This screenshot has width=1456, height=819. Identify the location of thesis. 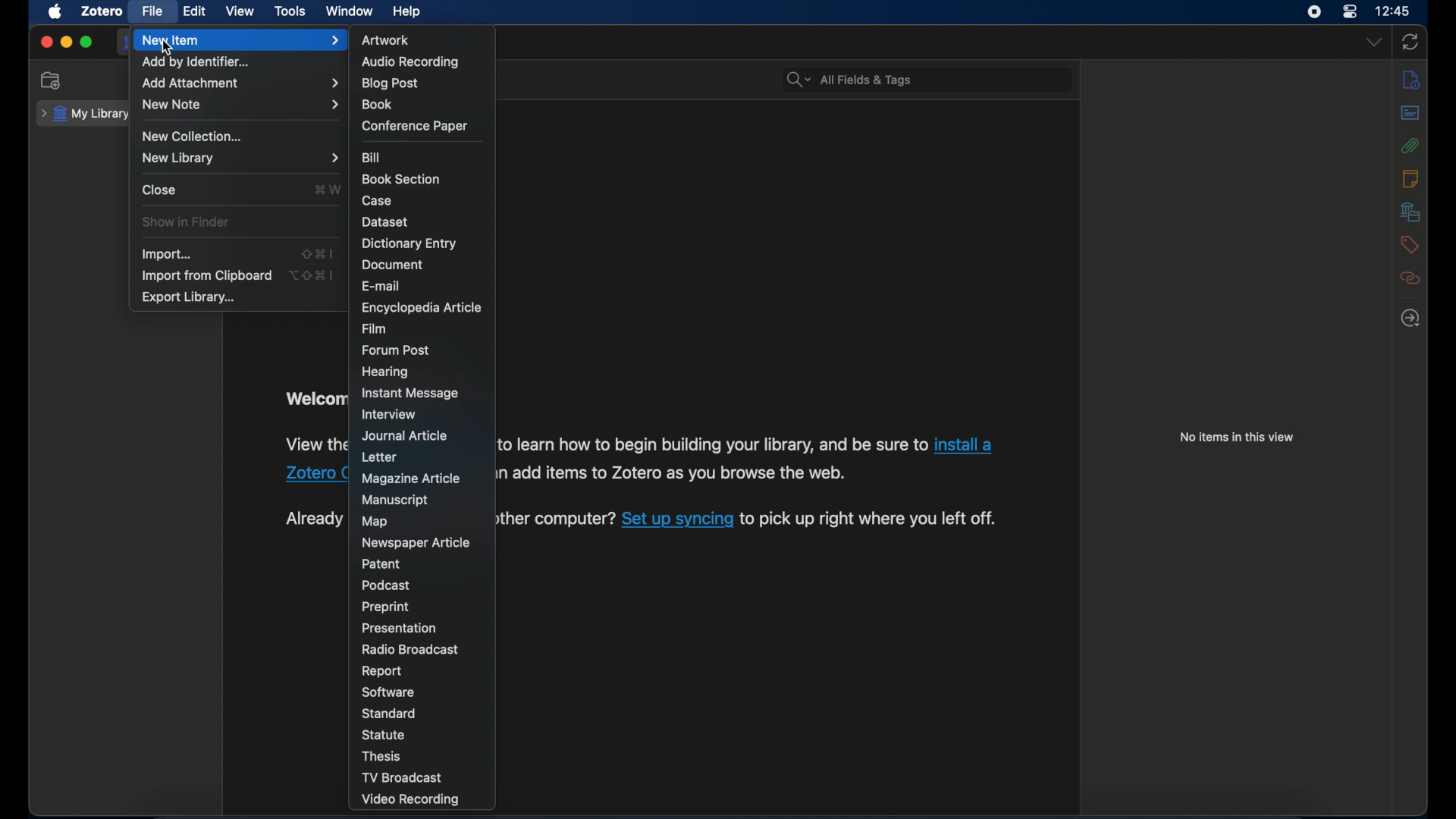
(379, 757).